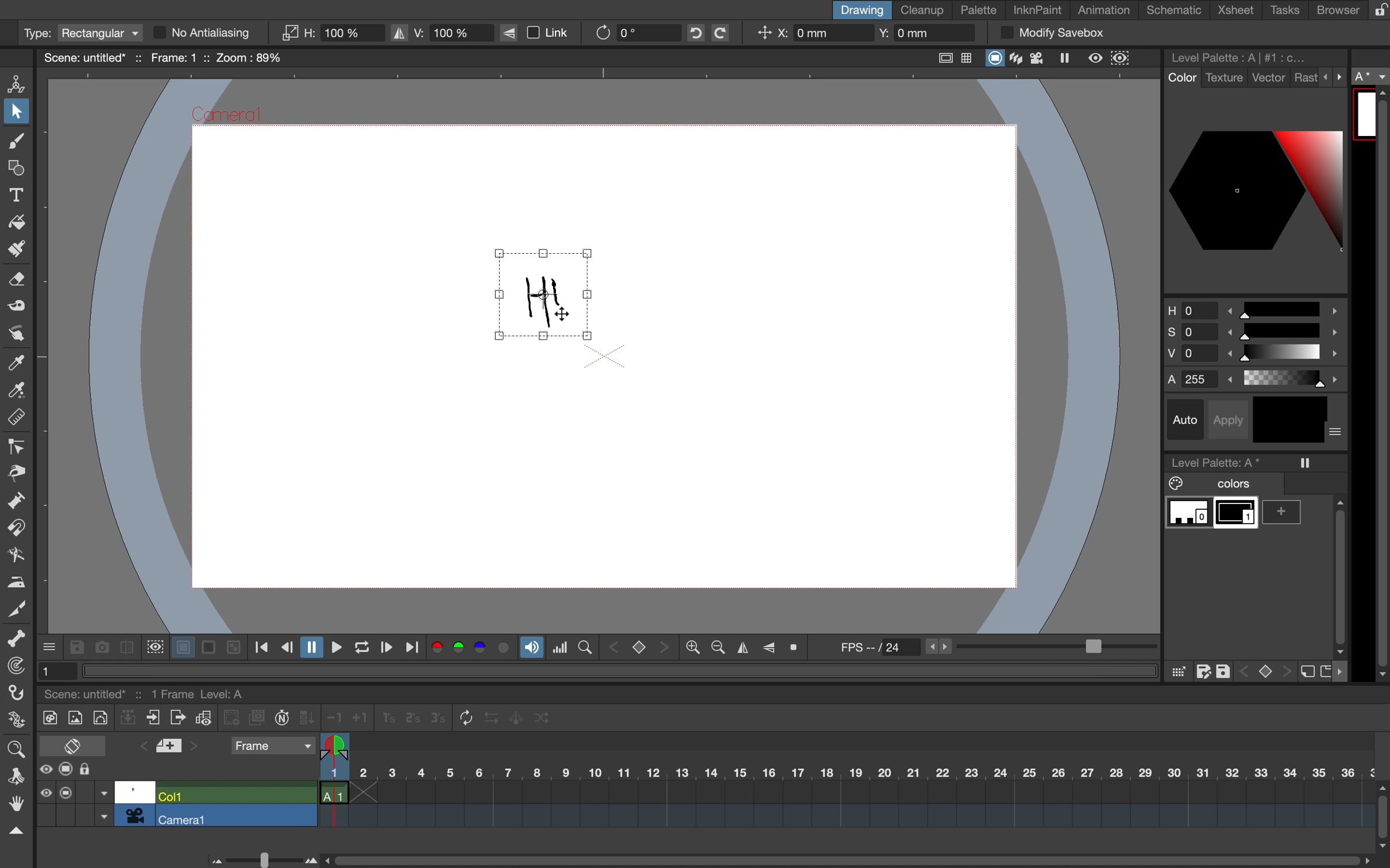 This screenshot has height=868, width=1390. What do you see at coordinates (1337, 433) in the screenshot?
I see `more options` at bounding box center [1337, 433].